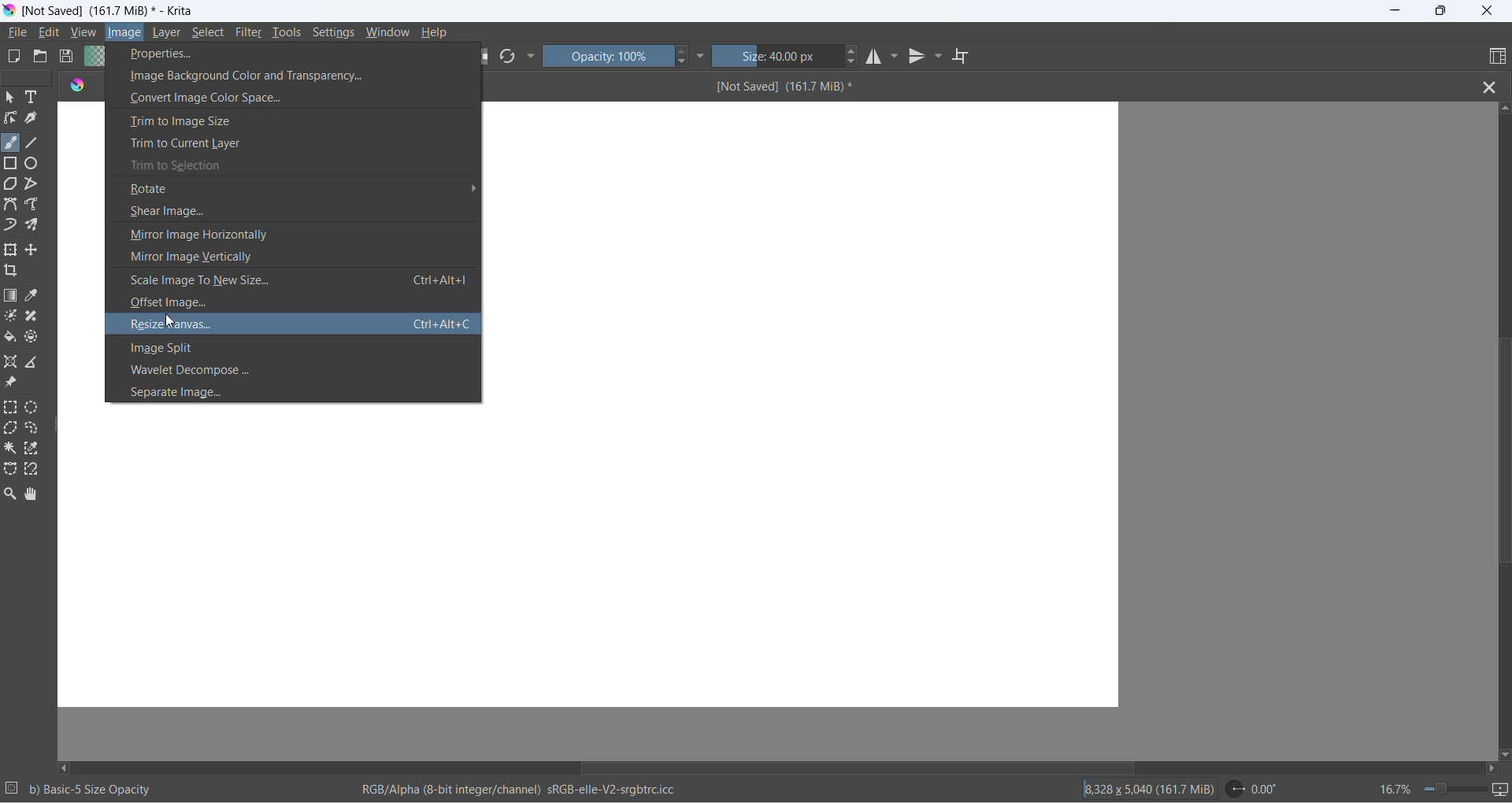 The height and width of the screenshot is (803, 1512). Describe the element at coordinates (435, 32) in the screenshot. I see `help` at that location.